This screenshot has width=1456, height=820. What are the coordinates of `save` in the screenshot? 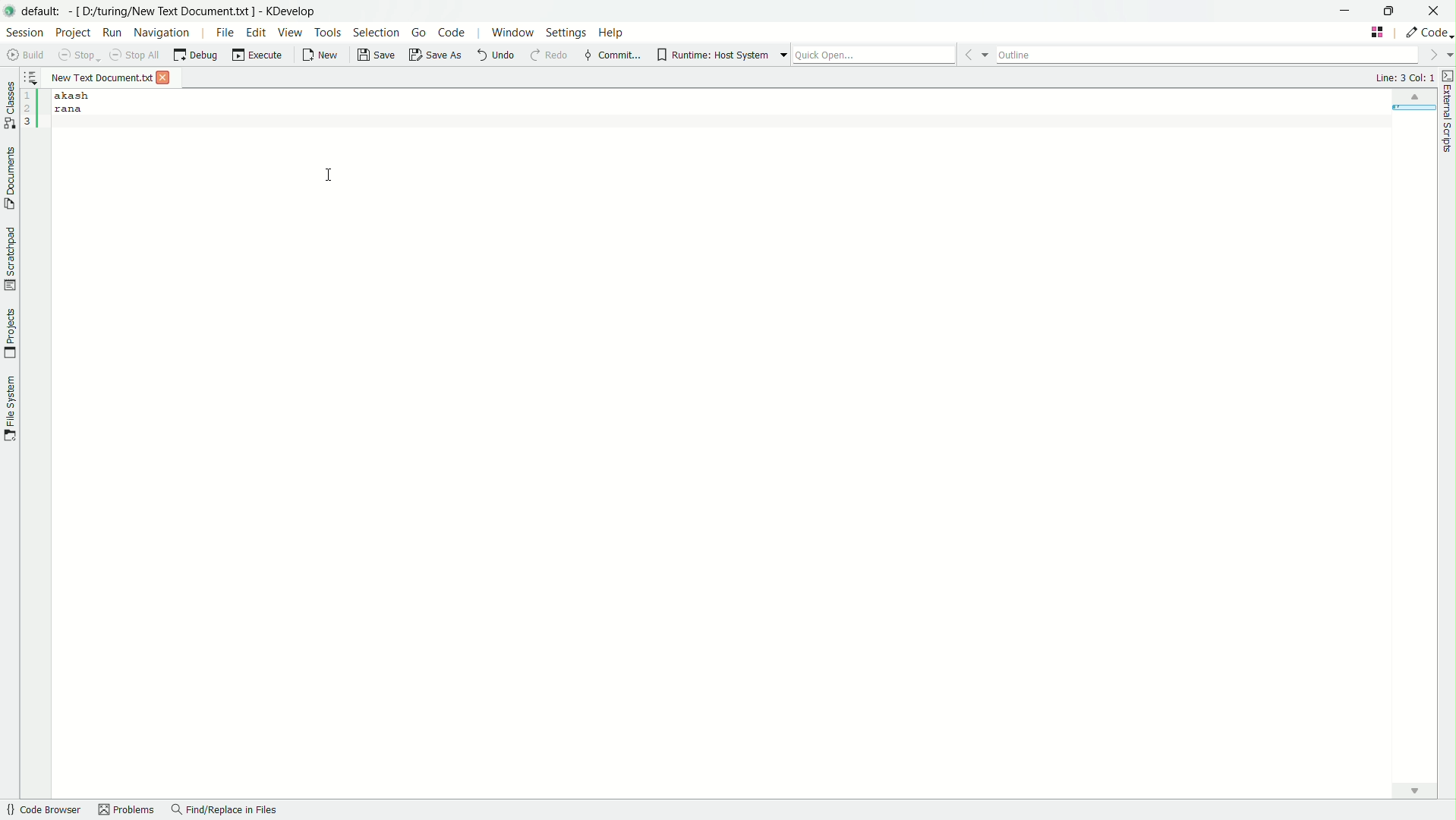 It's located at (375, 55).